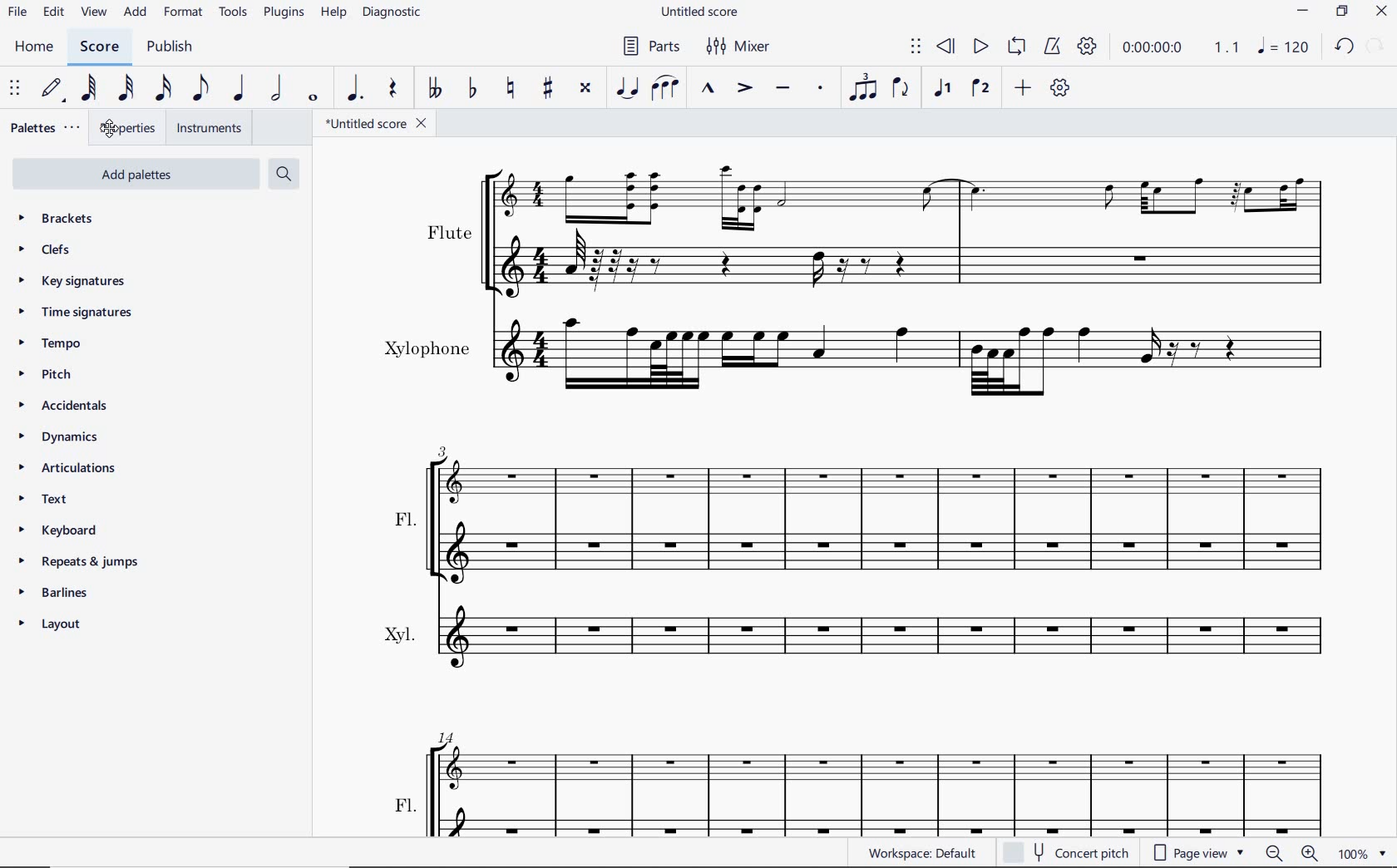 The image size is (1397, 868). What do you see at coordinates (93, 12) in the screenshot?
I see `view` at bounding box center [93, 12].